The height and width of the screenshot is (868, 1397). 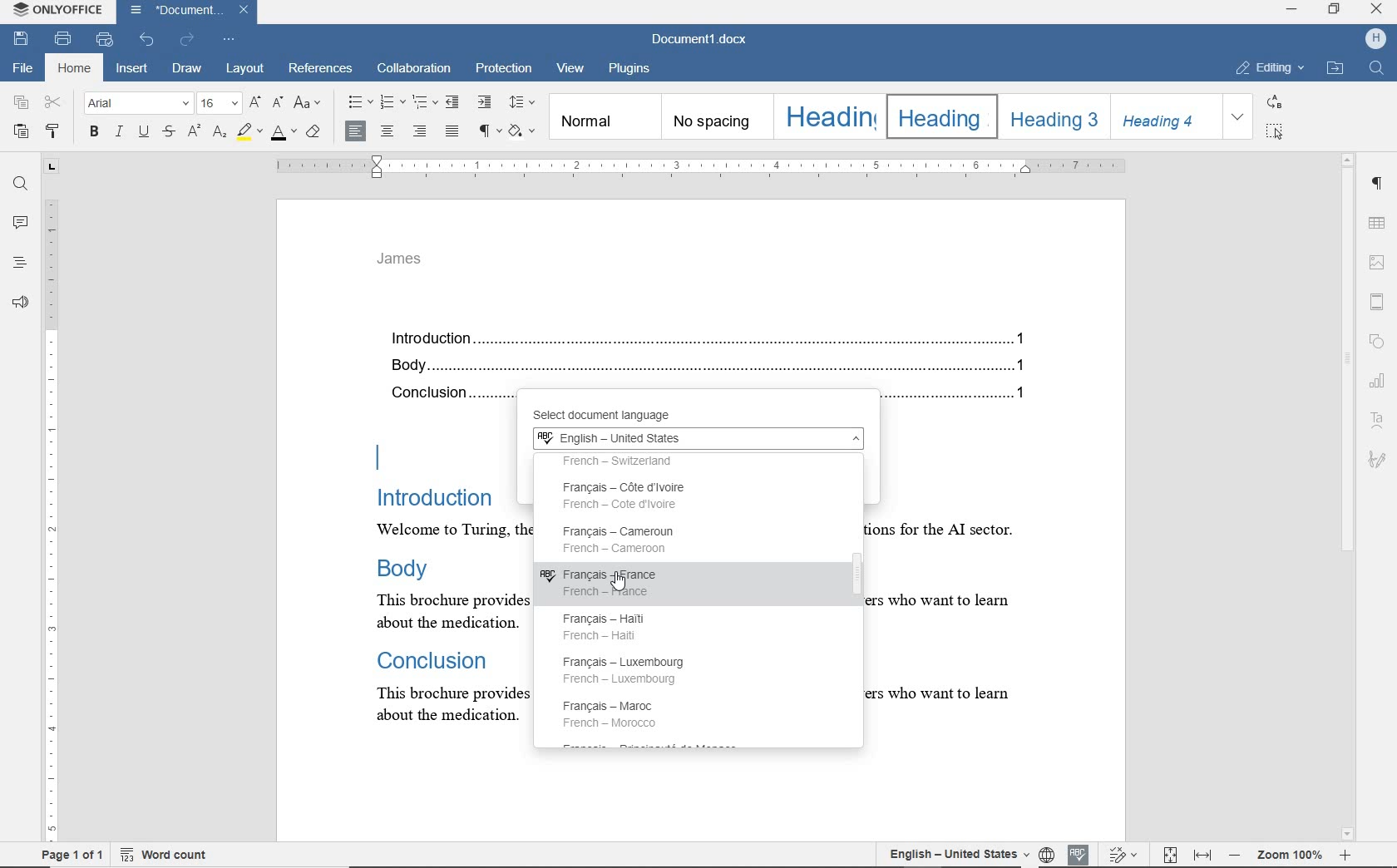 I want to click on change case, so click(x=310, y=104).